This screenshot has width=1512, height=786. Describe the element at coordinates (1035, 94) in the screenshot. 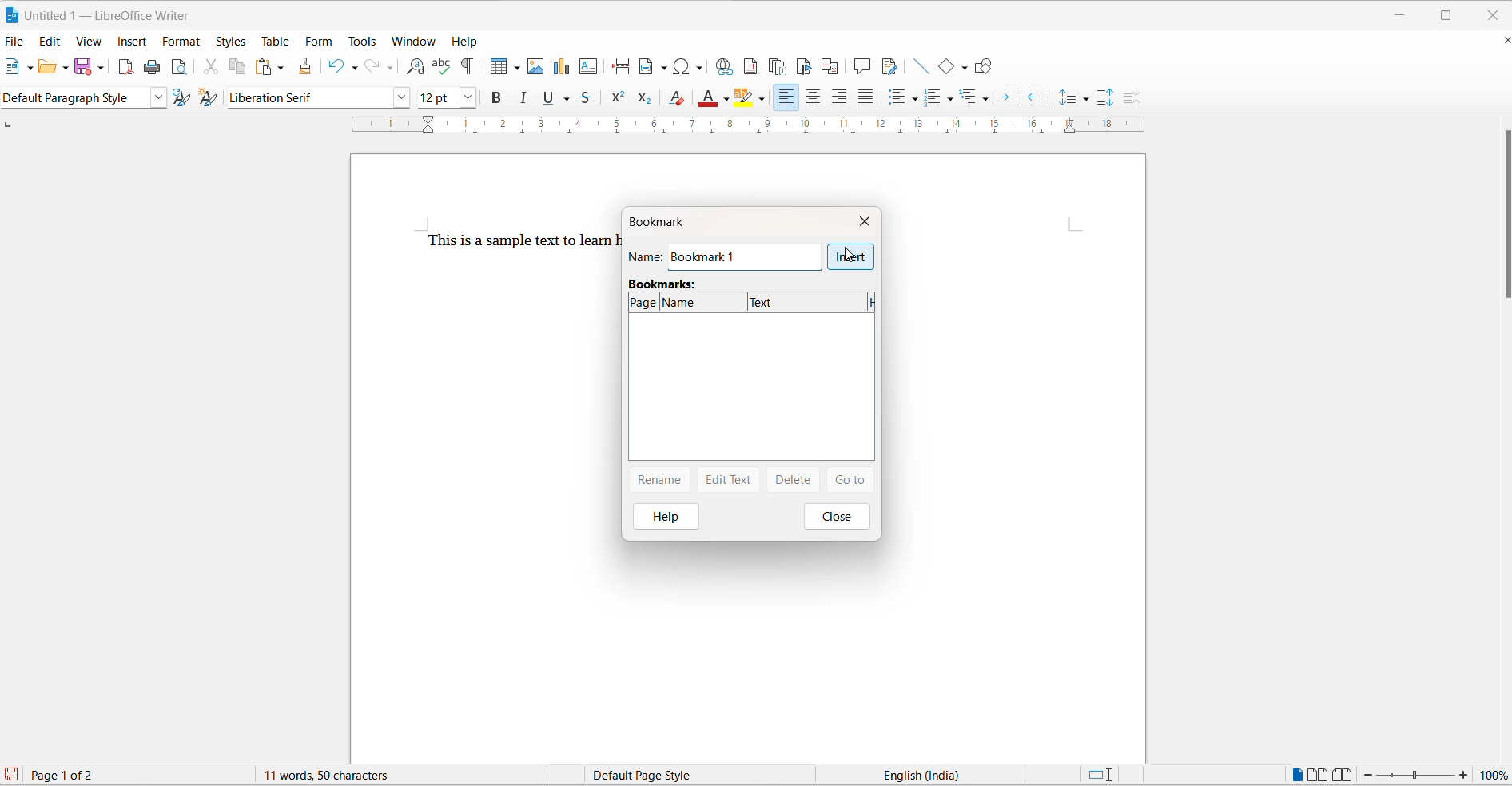

I see `decrease indent` at that location.